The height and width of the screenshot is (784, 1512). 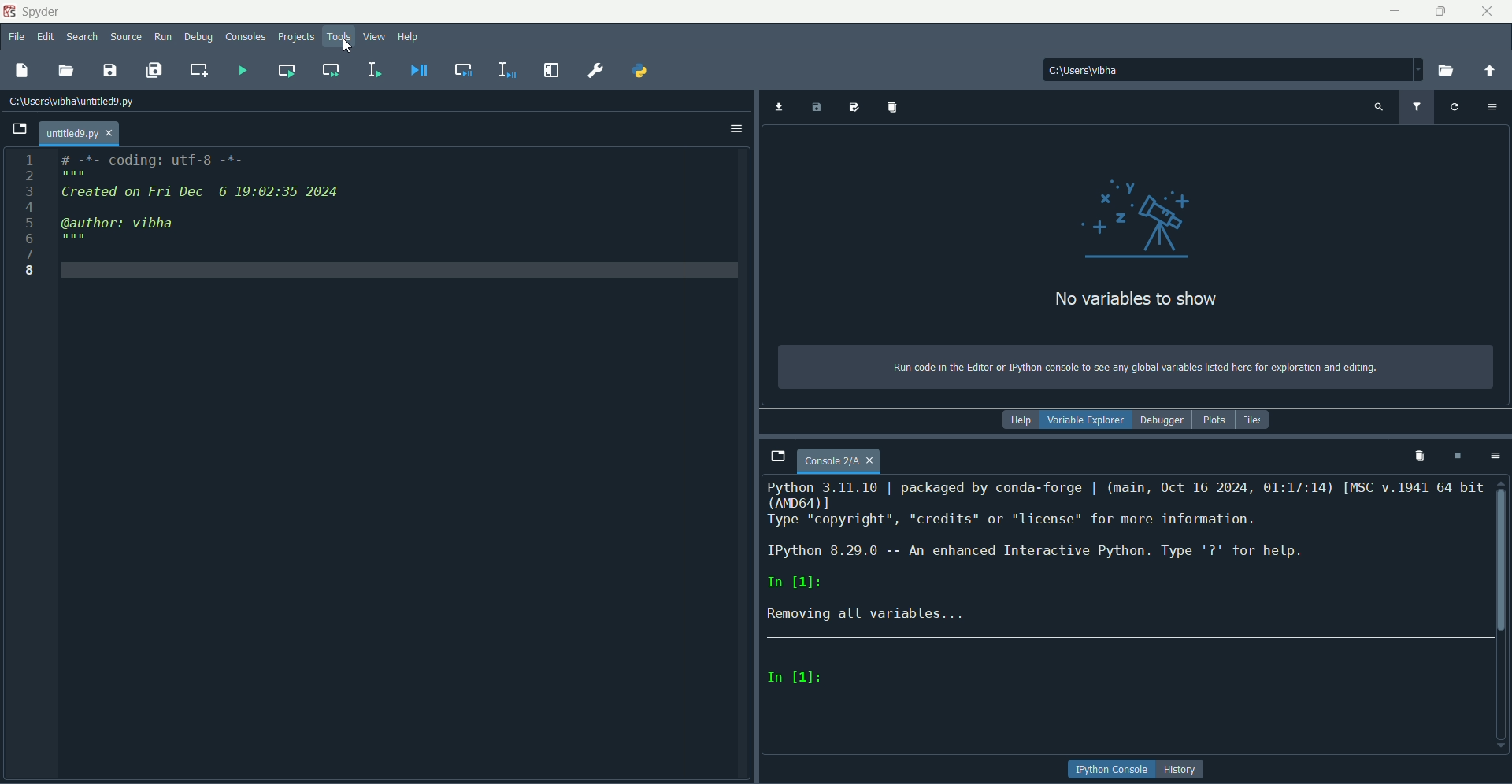 I want to click on run selection, so click(x=374, y=70).